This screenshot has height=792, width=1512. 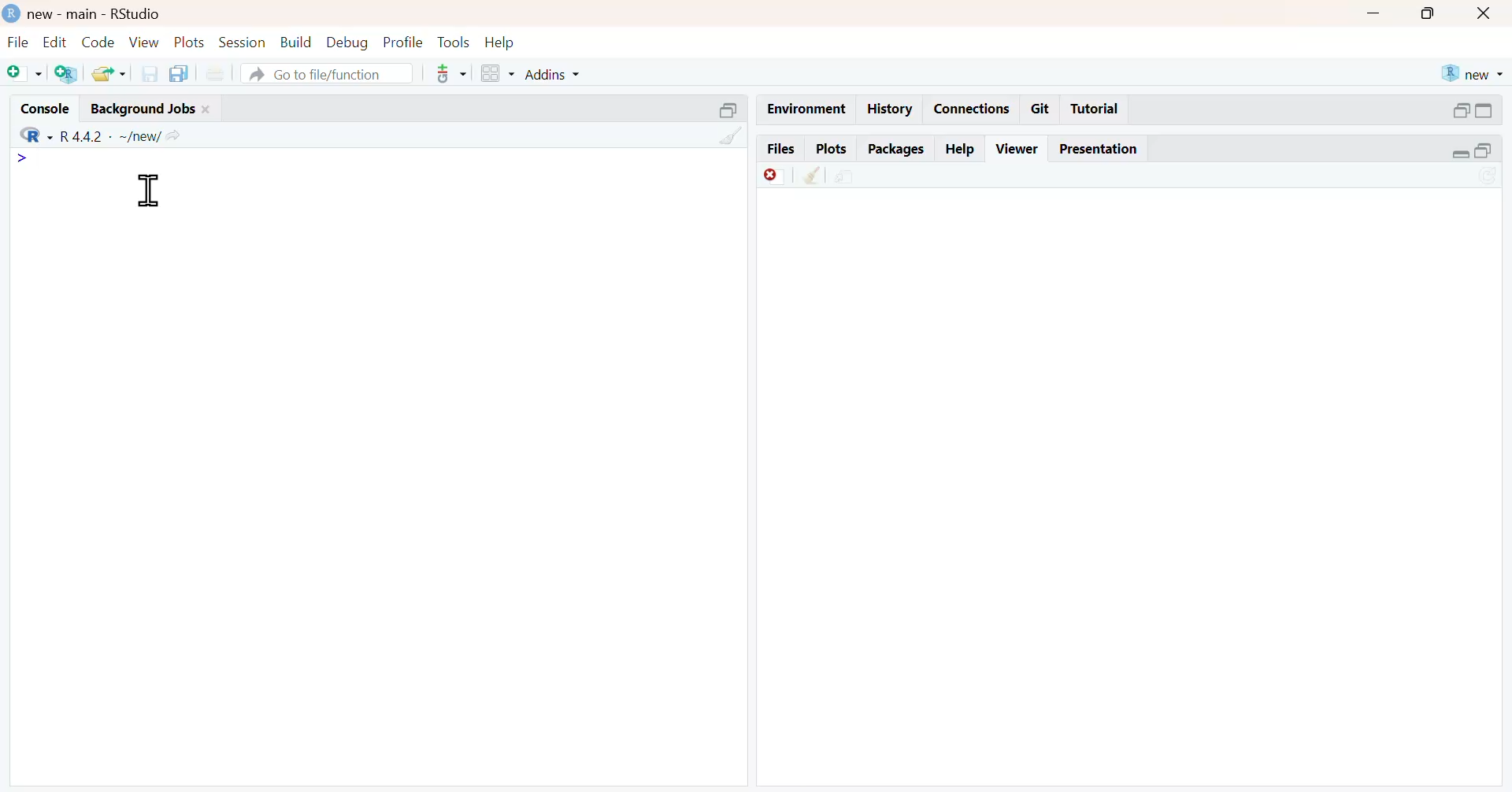 I want to click on view, so click(x=145, y=42).